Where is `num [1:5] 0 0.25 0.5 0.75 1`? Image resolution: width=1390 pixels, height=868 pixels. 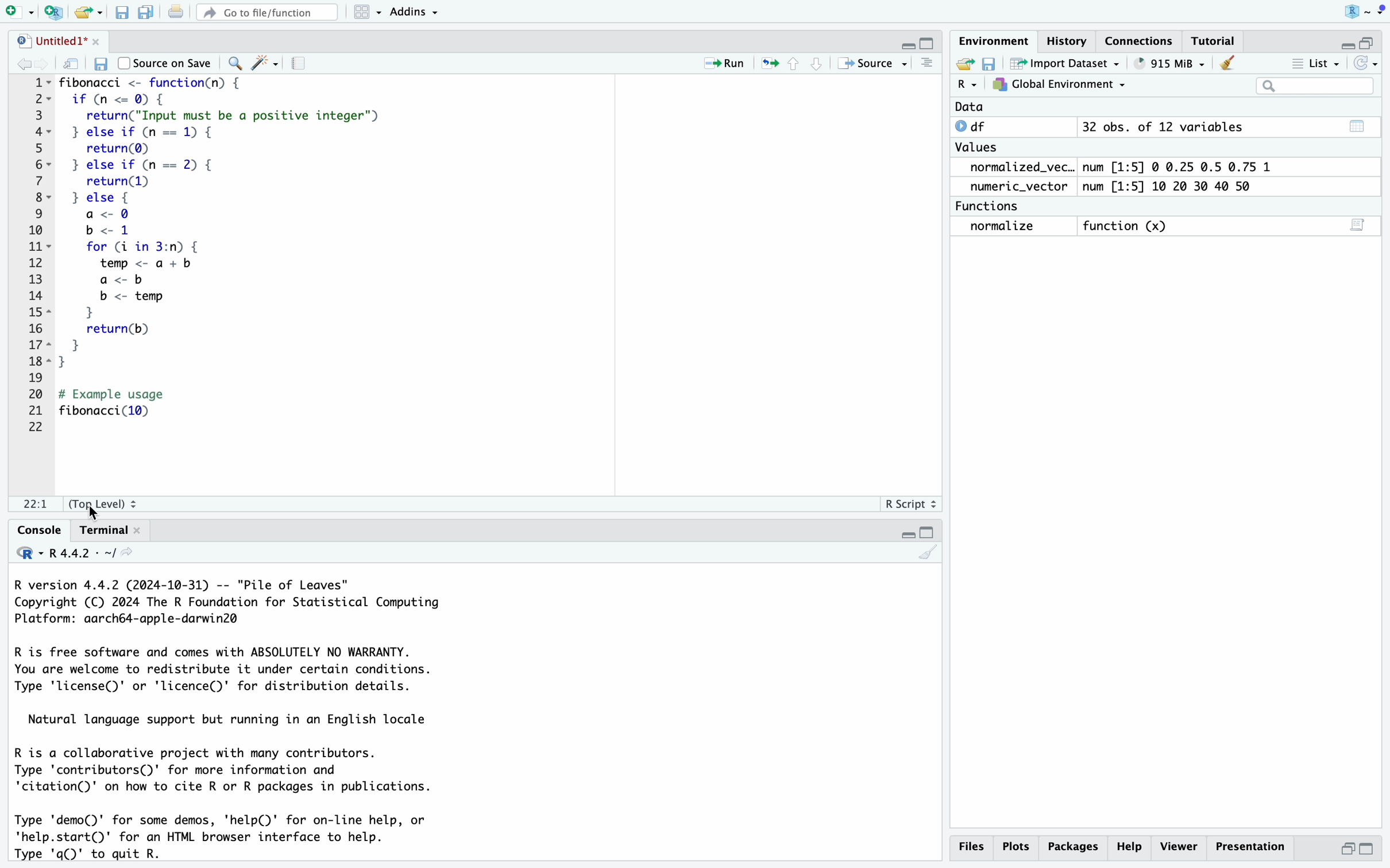
num [1:5] 0 0.25 0.5 0.75 1 is located at coordinates (1175, 165).